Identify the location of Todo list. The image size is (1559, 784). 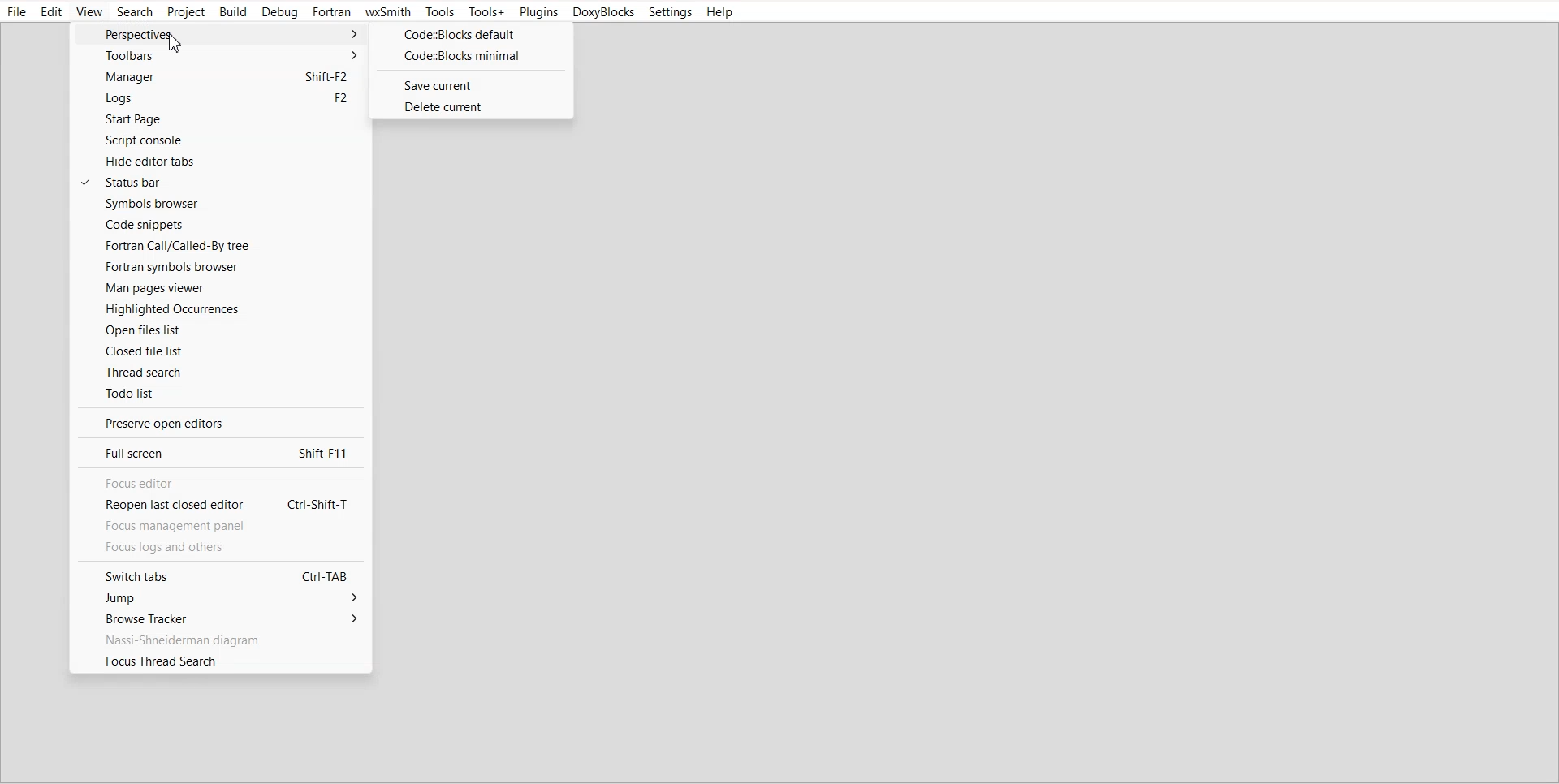
(222, 393).